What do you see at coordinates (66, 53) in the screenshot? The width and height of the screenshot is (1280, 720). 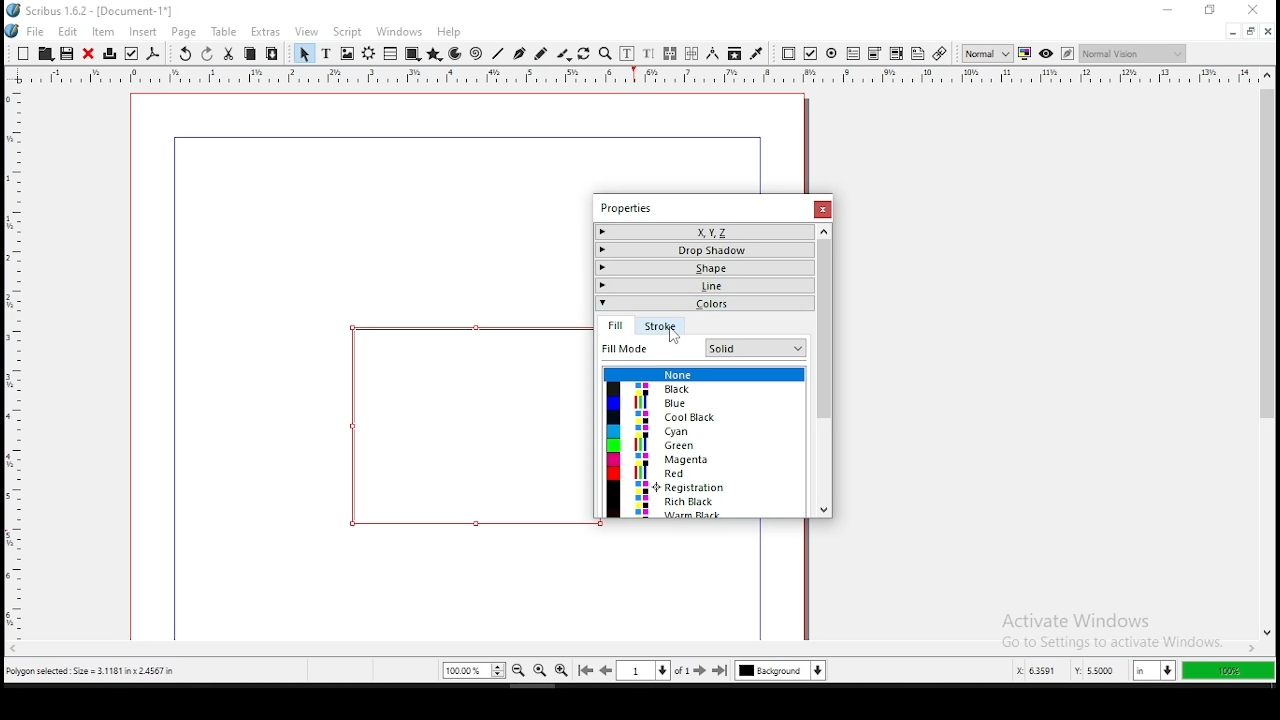 I see `save` at bounding box center [66, 53].